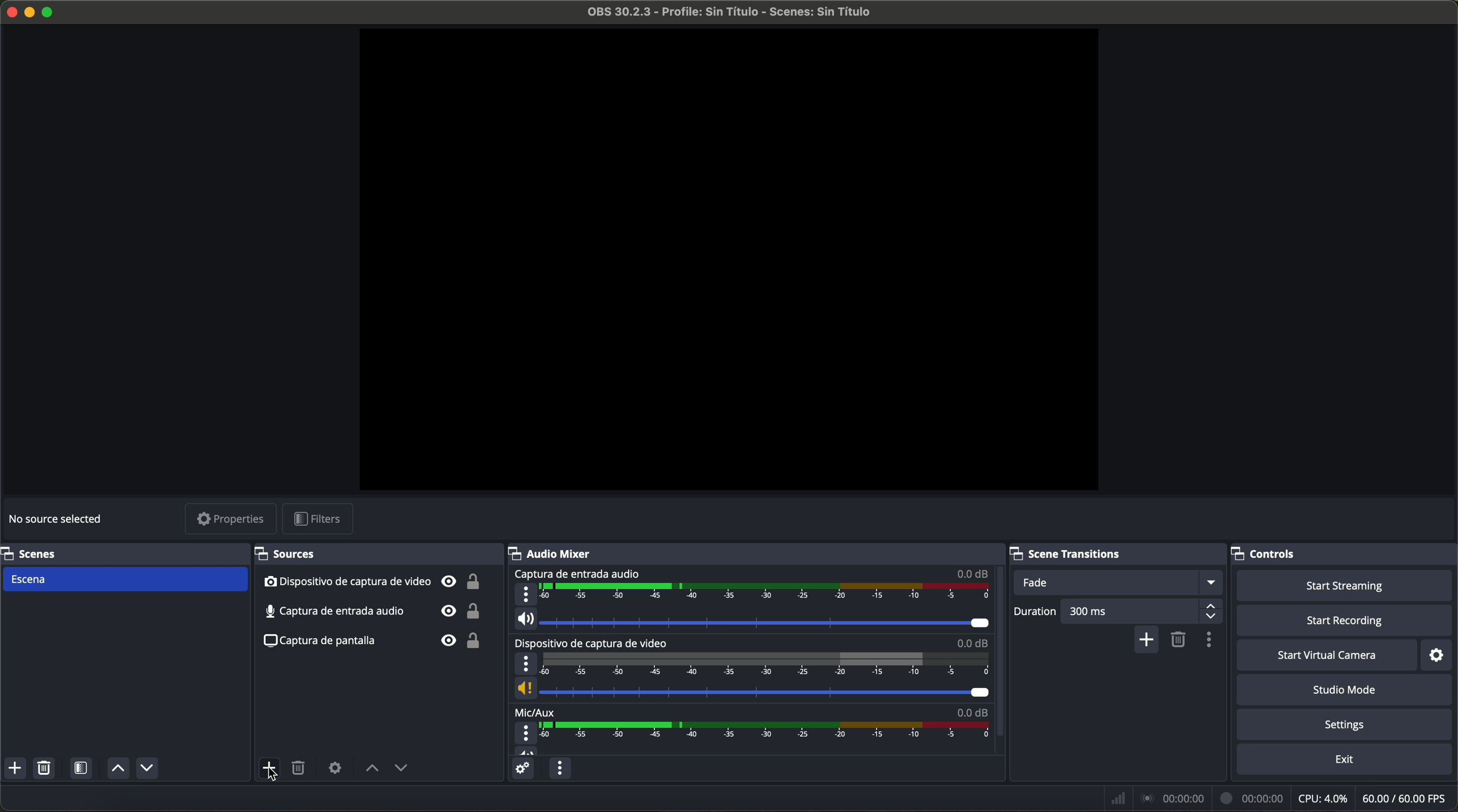  Describe the element at coordinates (44, 768) in the screenshot. I see `remove selected scene` at that location.